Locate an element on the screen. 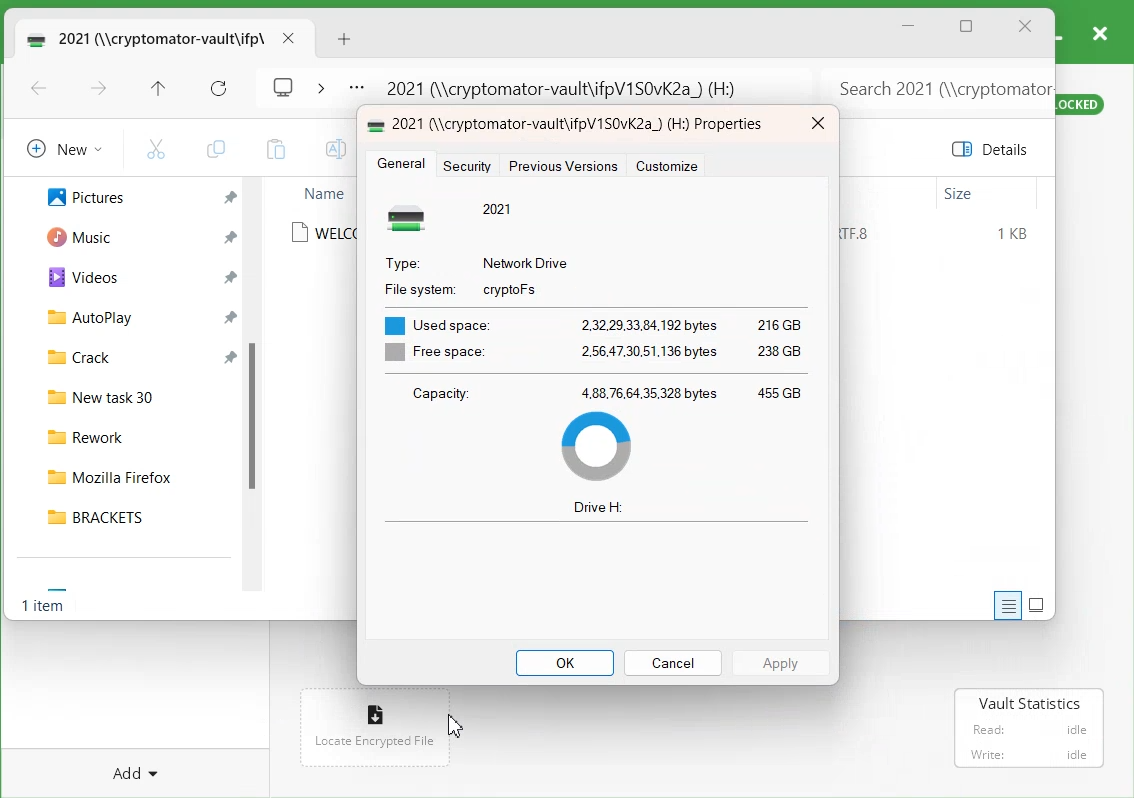  4.88,76.64.35.328 bytes. is located at coordinates (650, 392).